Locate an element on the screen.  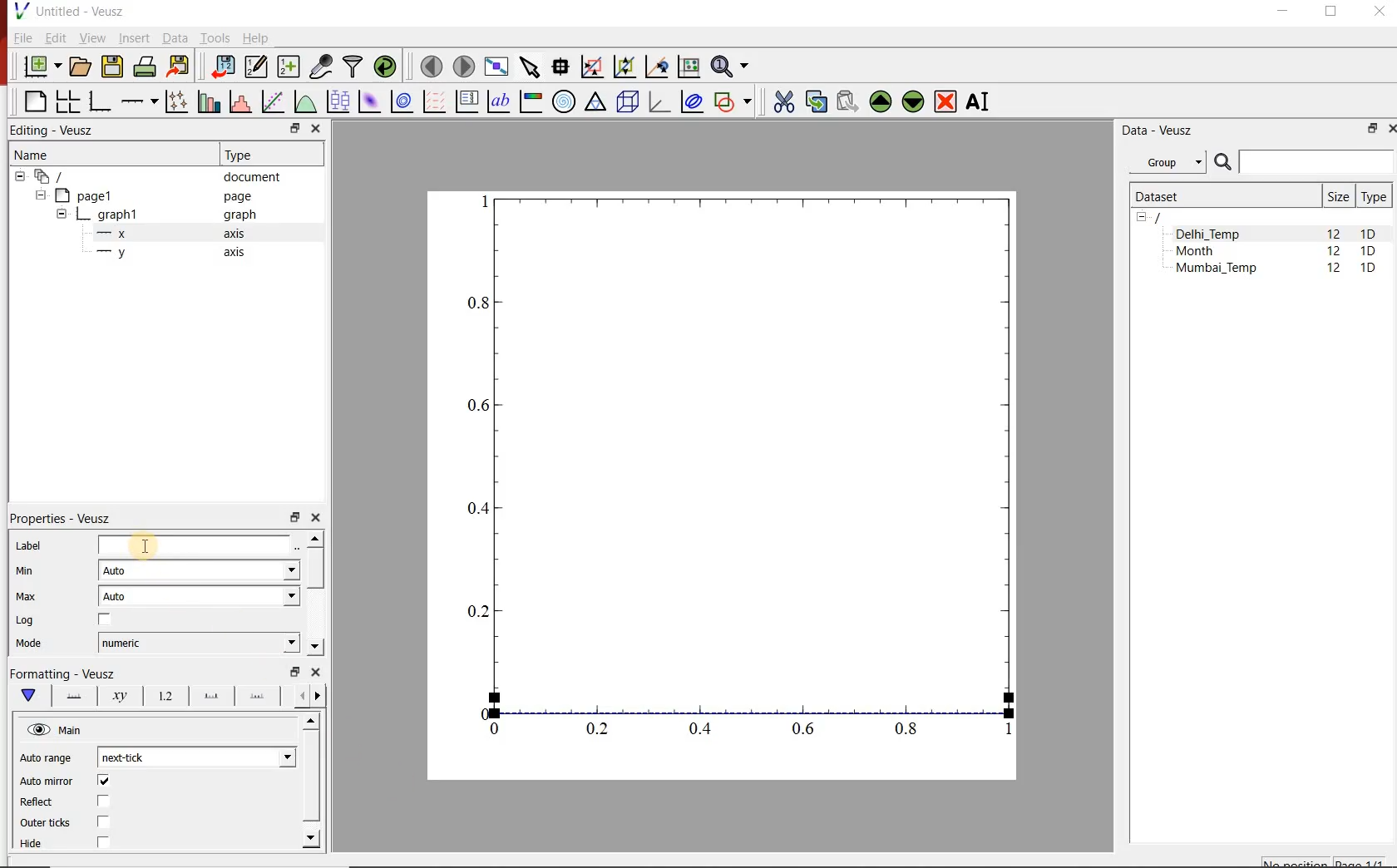
Type is located at coordinates (245, 155).